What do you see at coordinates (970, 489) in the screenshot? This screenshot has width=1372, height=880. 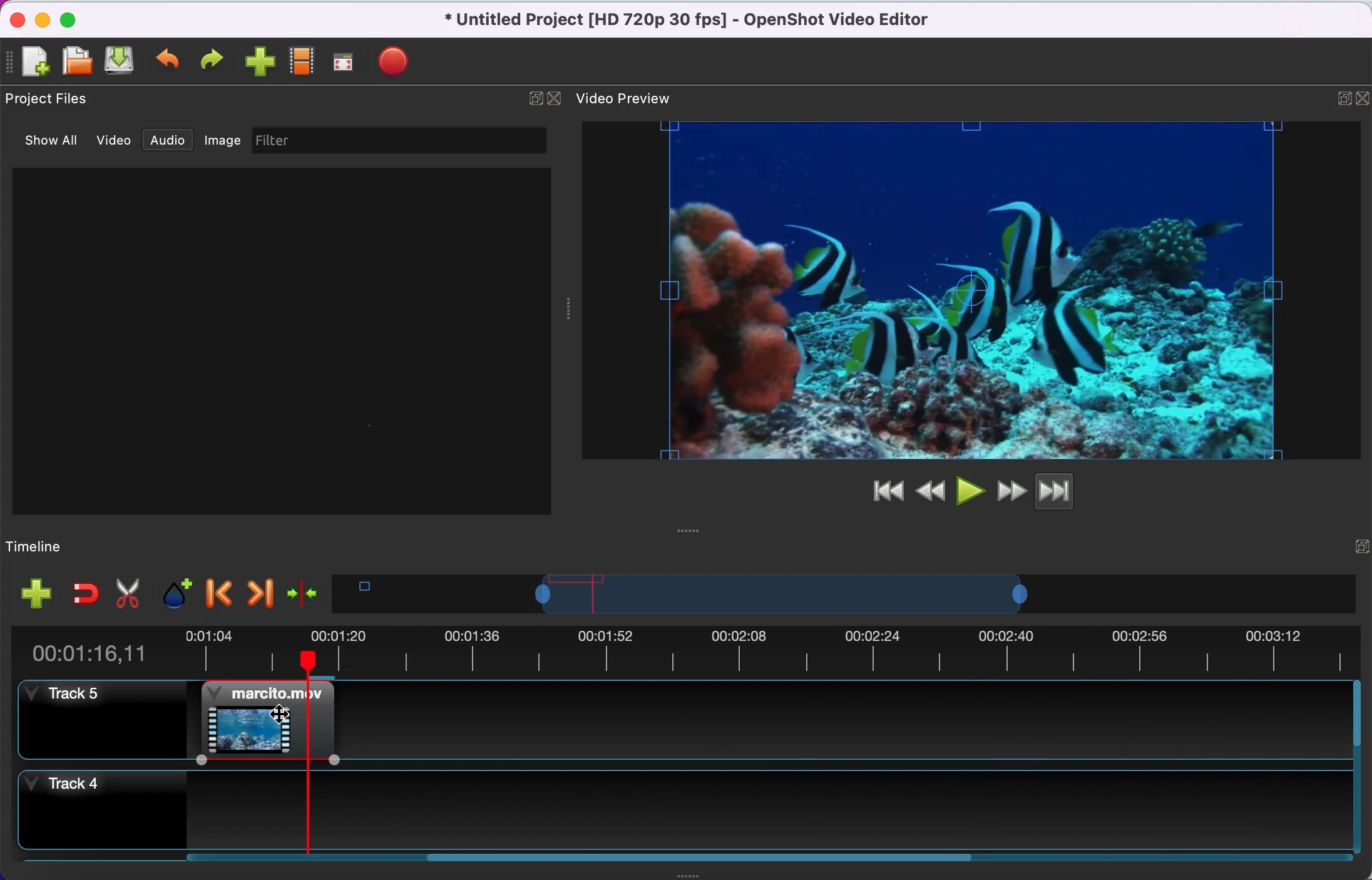 I see `play` at bounding box center [970, 489].